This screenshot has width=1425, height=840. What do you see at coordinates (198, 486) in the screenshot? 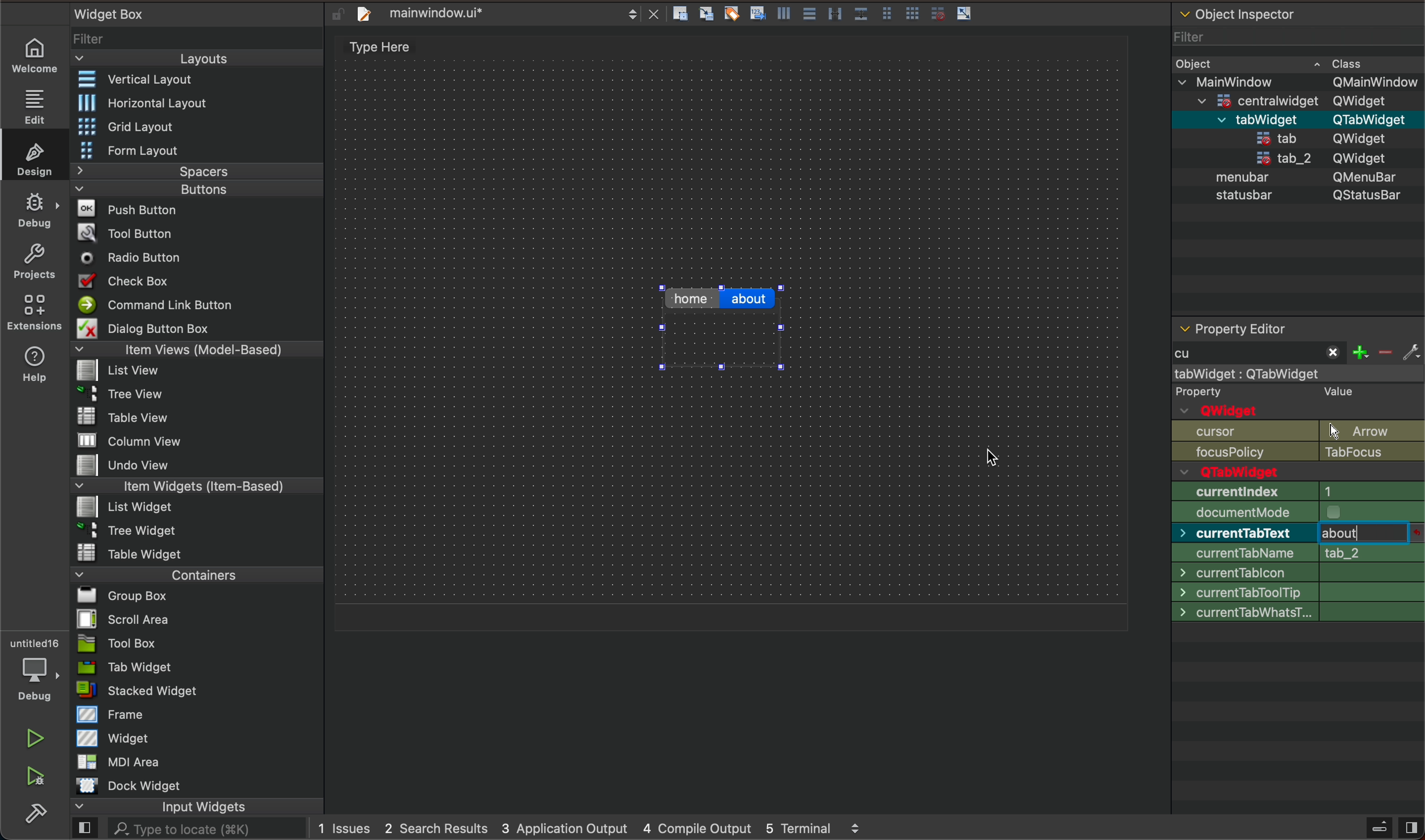
I see `Item Widgets (Item-Based)` at bounding box center [198, 486].